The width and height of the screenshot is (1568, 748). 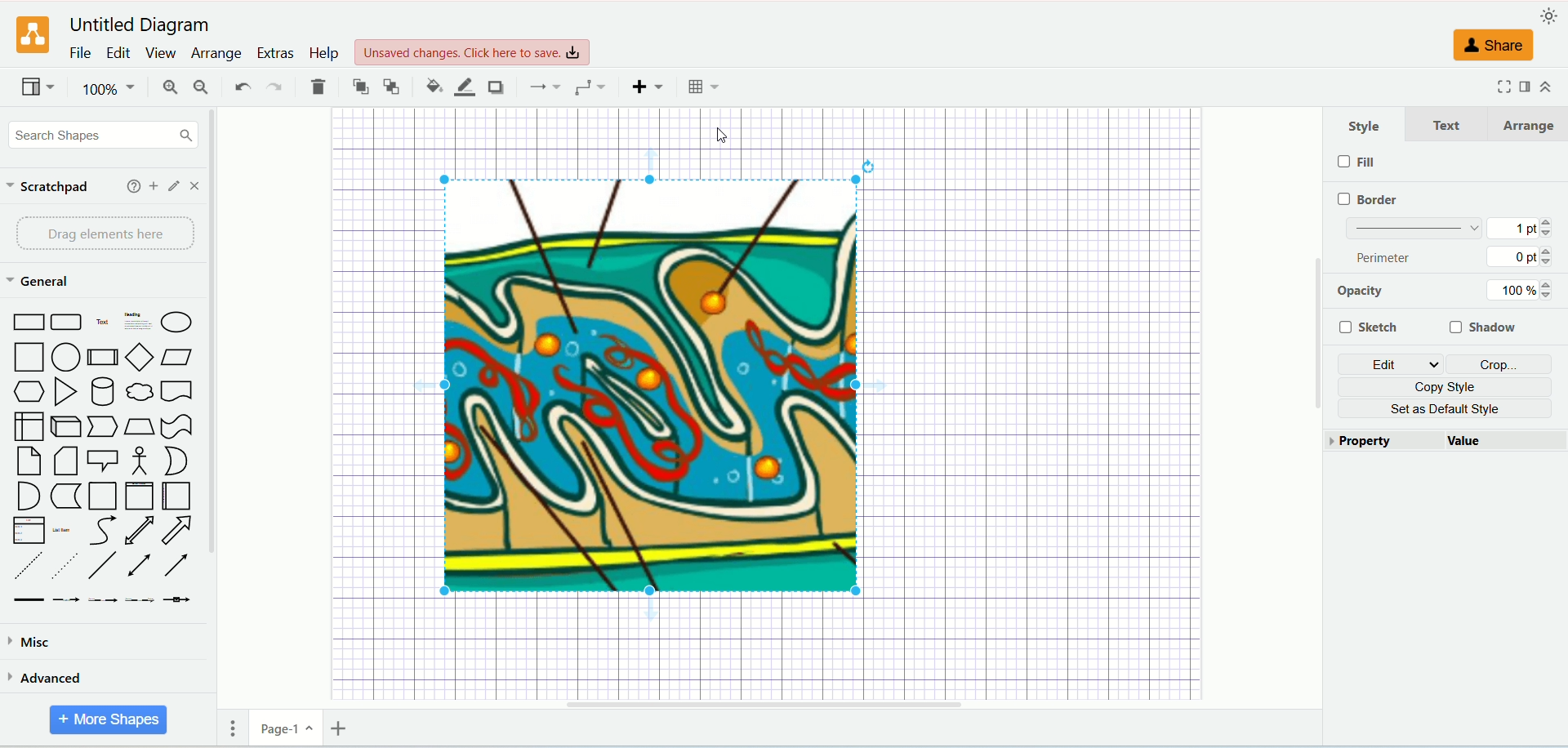 What do you see at coordinates (30, 530) in the screenshot?
I see `Item List` at bounding box center [30, 530].